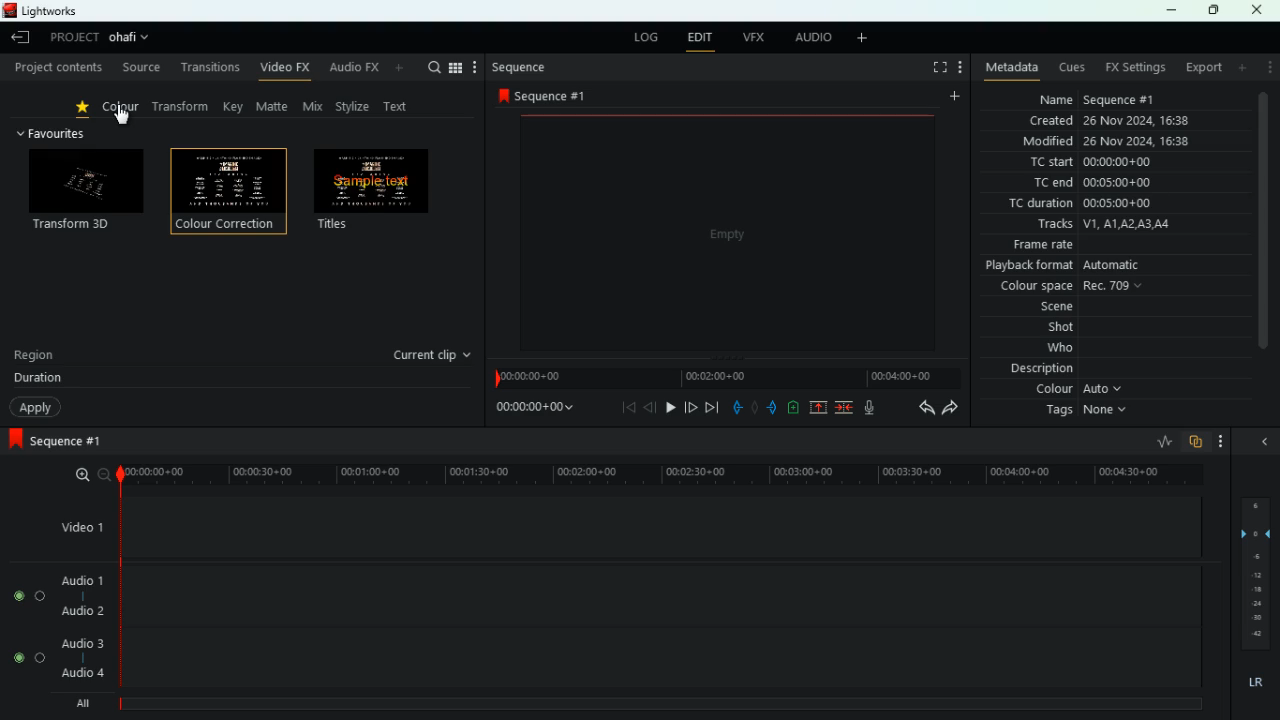  Describe the element at coordinates (646, 36) in the screenshot. I see `log` at that location.